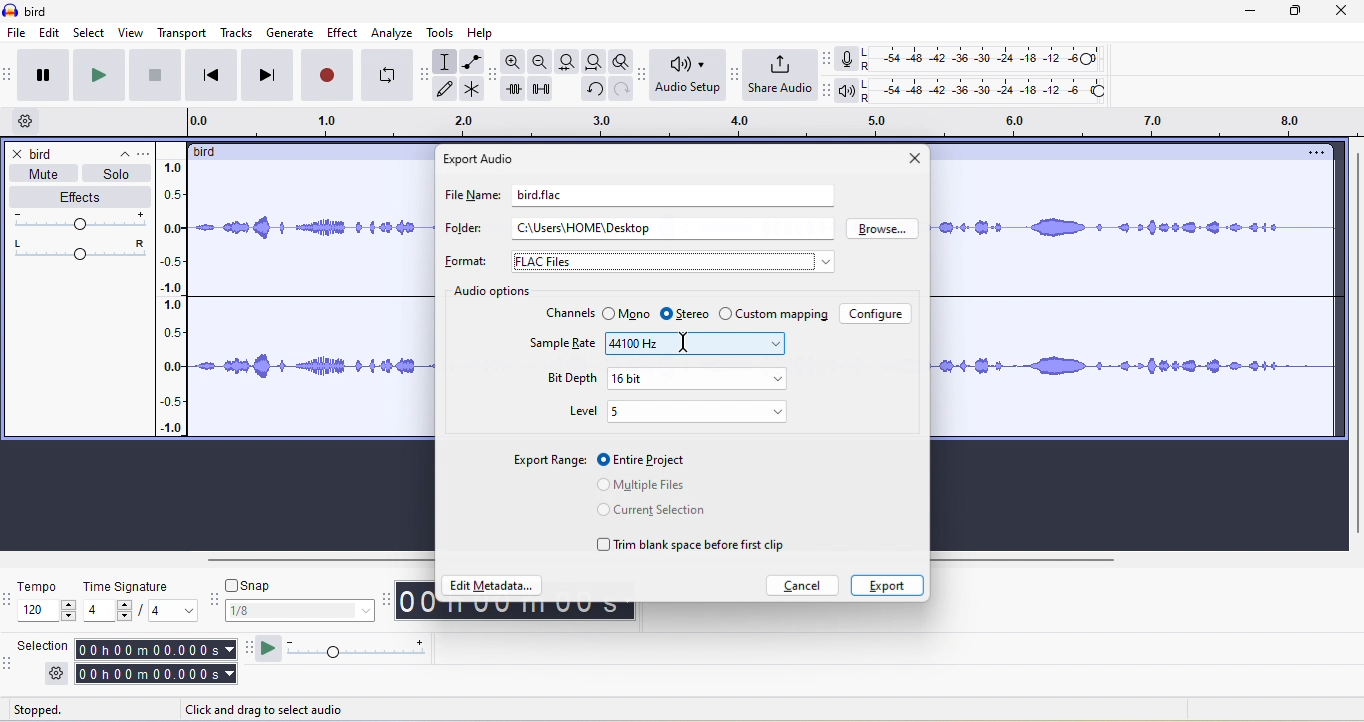 Image resolution: width=1364 pixels, height=722 pixels. Describe the element at coordinates (684, 313) in the screenshot. I see `stereo` at that location.